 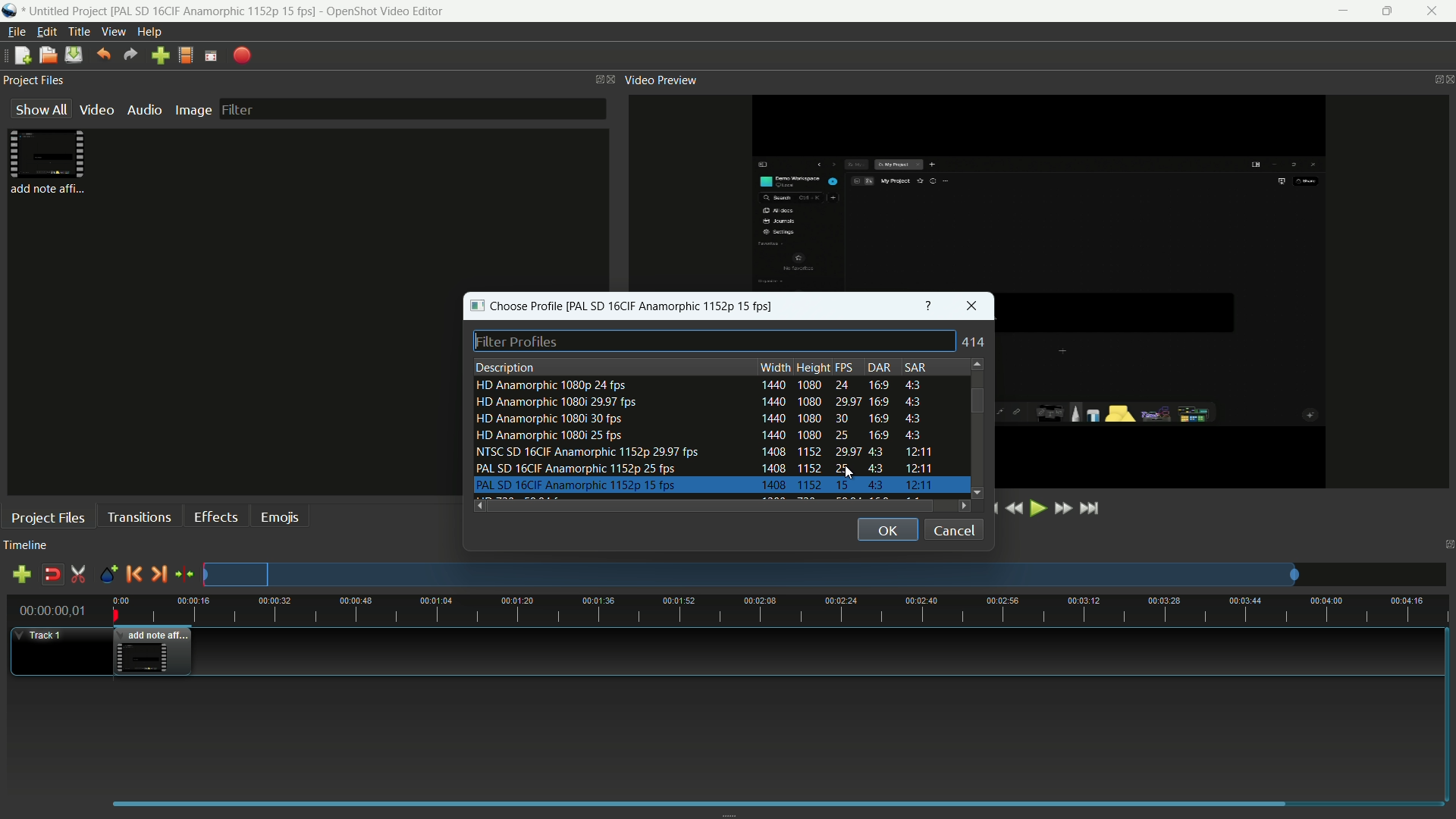 What do you see at coordinates (661, 81) in the screenshot?
I see `video preview` at bounding box center [661, 81].